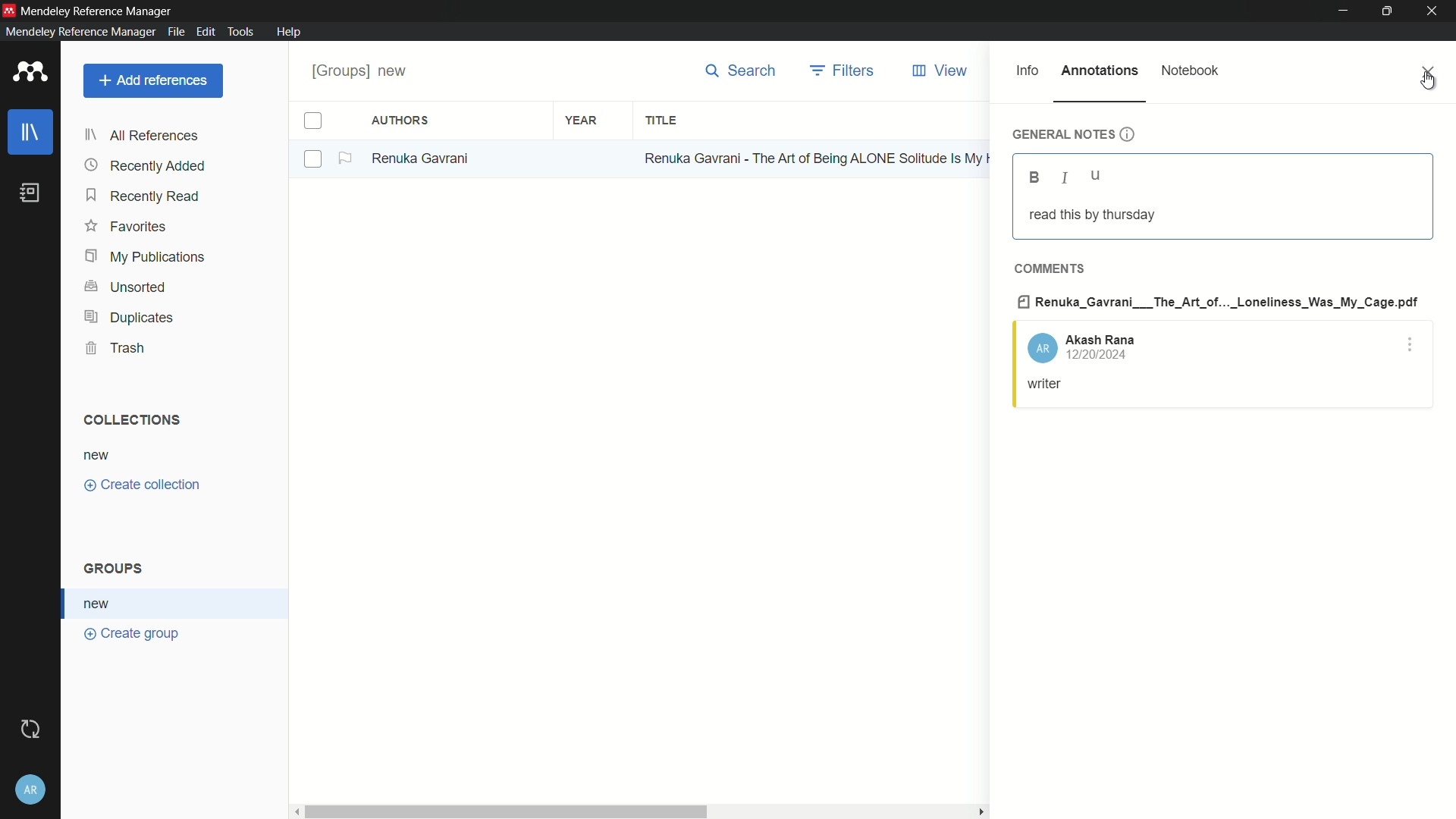 The width and height of the screenshot is (1456, 819). Describe the element at coordinates (1048, 268) in the screenshot. I see `comments` at that location.